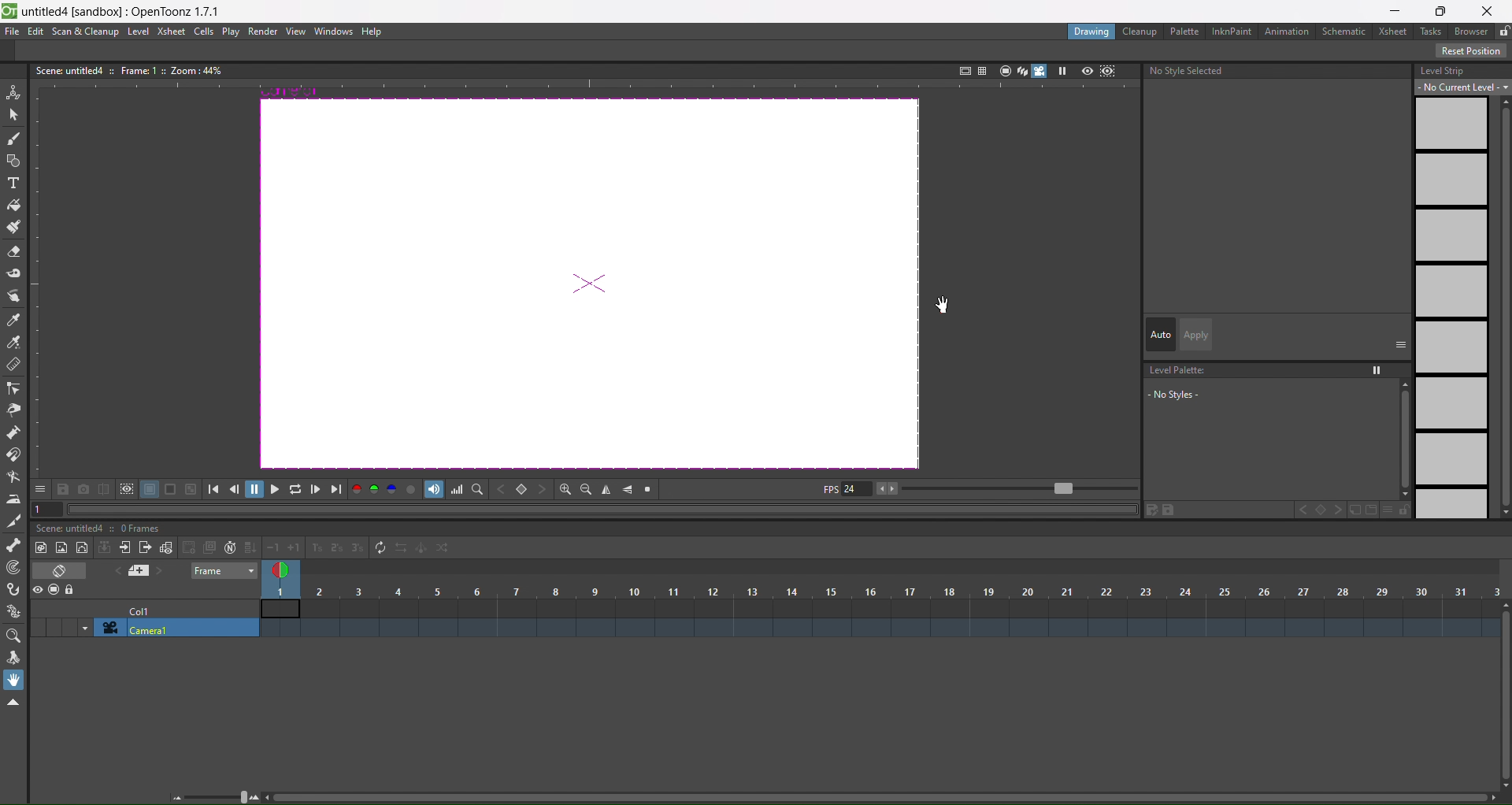 The image size is (1512, 805). What do you see at coordinates (1473, 51) in the screenshot?
I see `reset position` at bounding box center [1473, 51].